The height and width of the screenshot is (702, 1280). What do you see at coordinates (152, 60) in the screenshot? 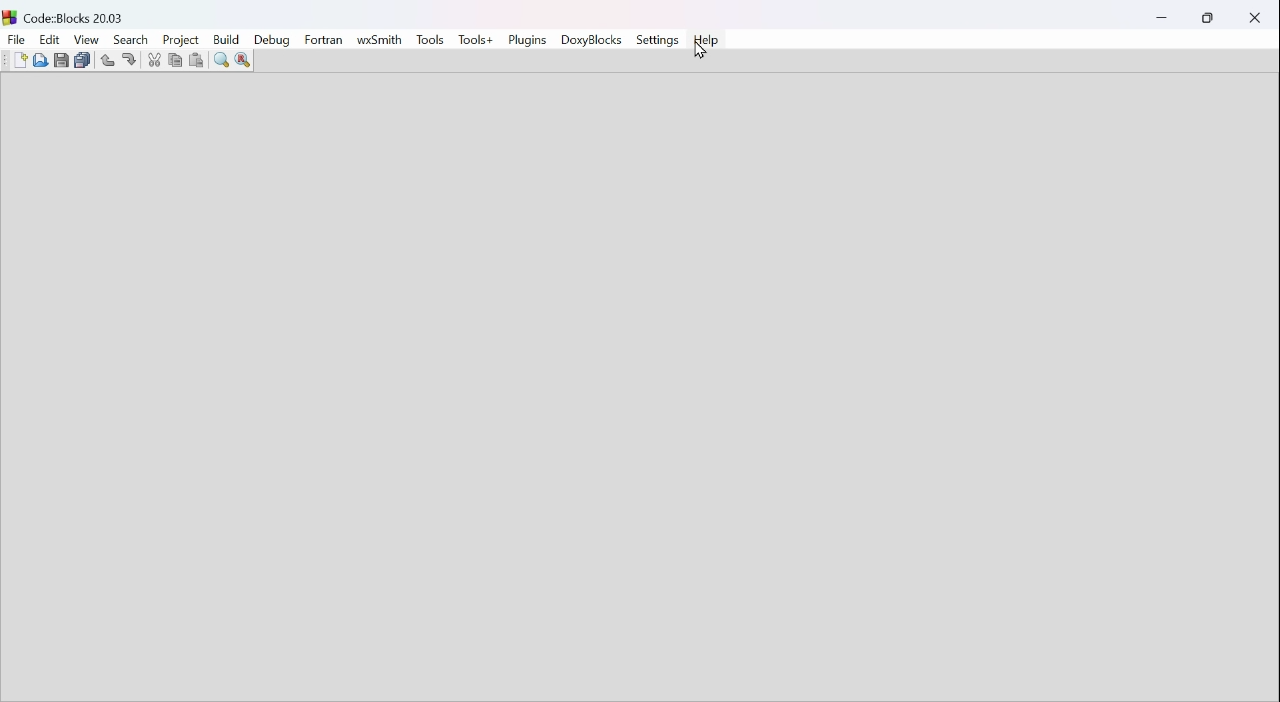
I see `Cut` at bounding box center [152, 60].